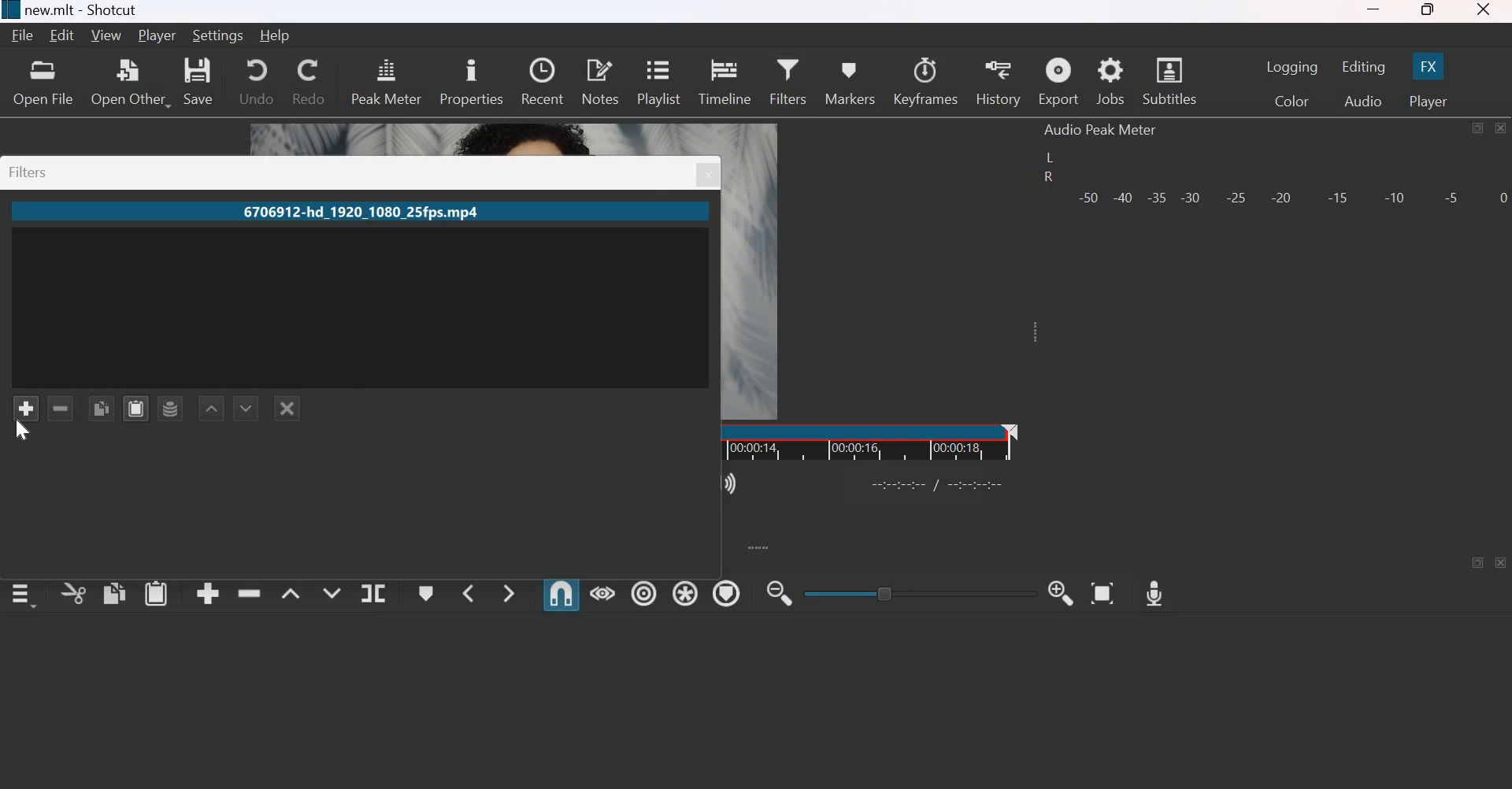  Describe the element at coordinates (1032, 332) in the screenshot. I see `Expand` at that location.